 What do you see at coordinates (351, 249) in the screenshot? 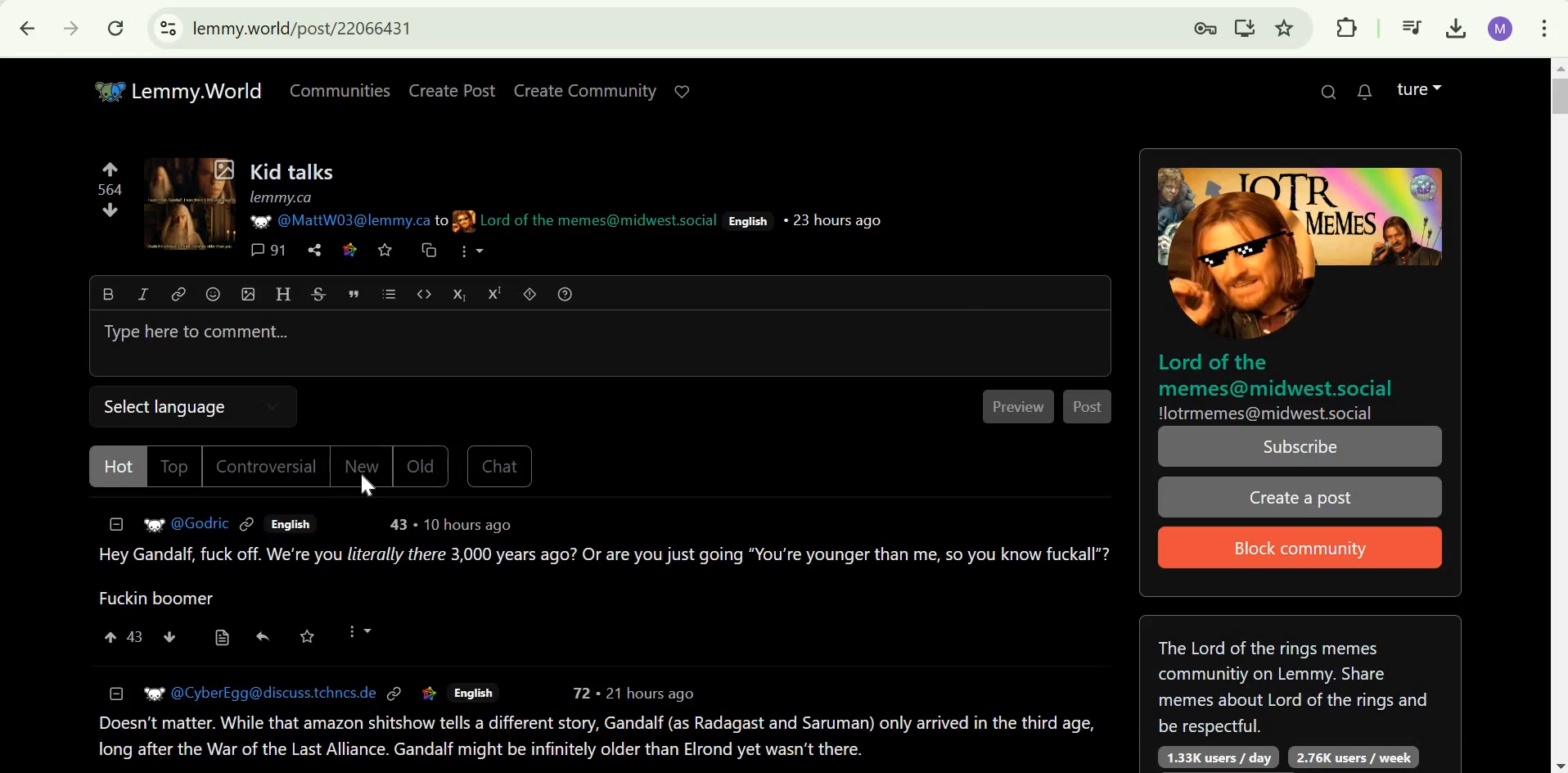
I see `link` at bounding box center [351, 249].